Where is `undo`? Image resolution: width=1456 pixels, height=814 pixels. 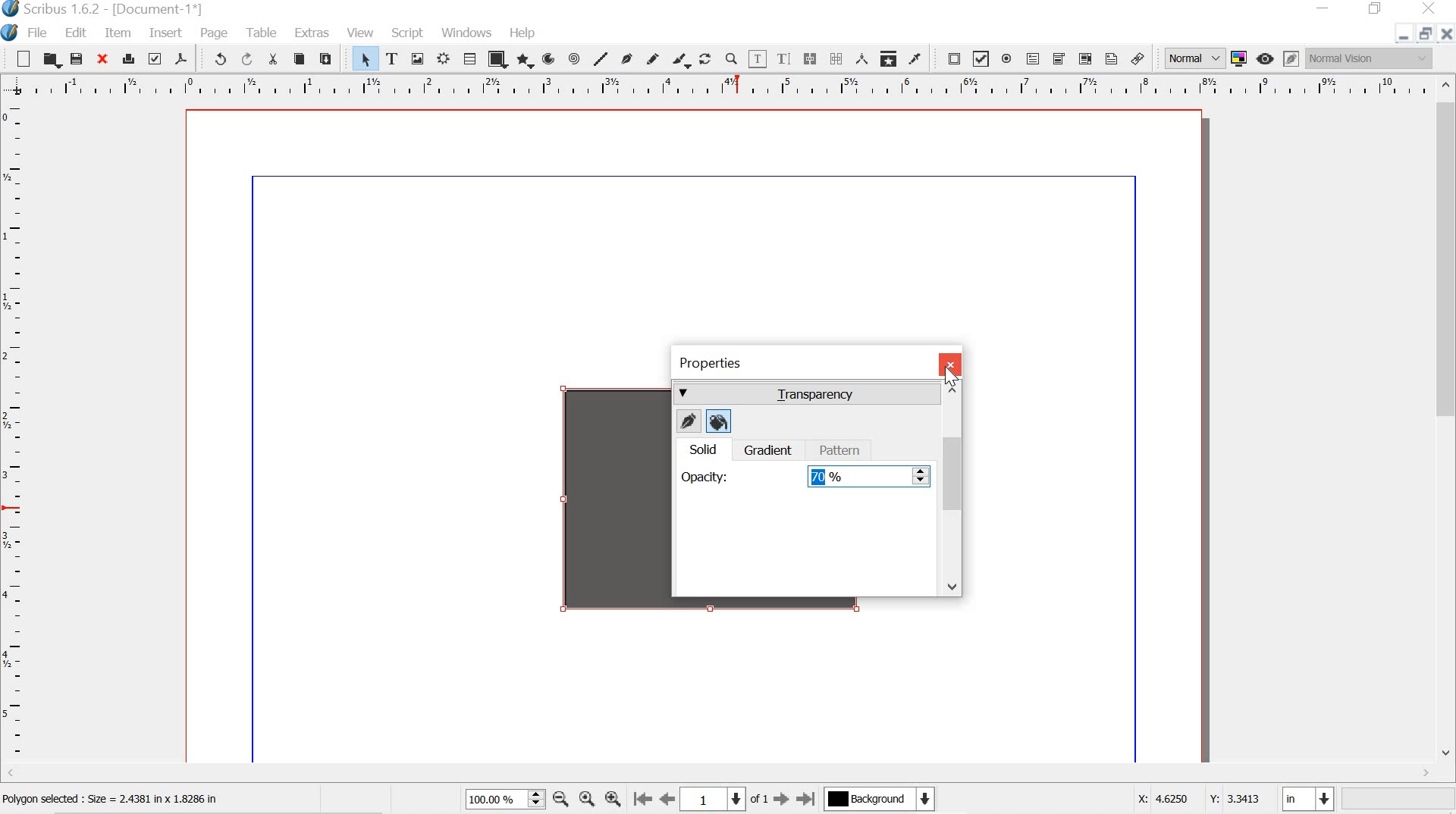
undo is located at coordinates (219, 58).